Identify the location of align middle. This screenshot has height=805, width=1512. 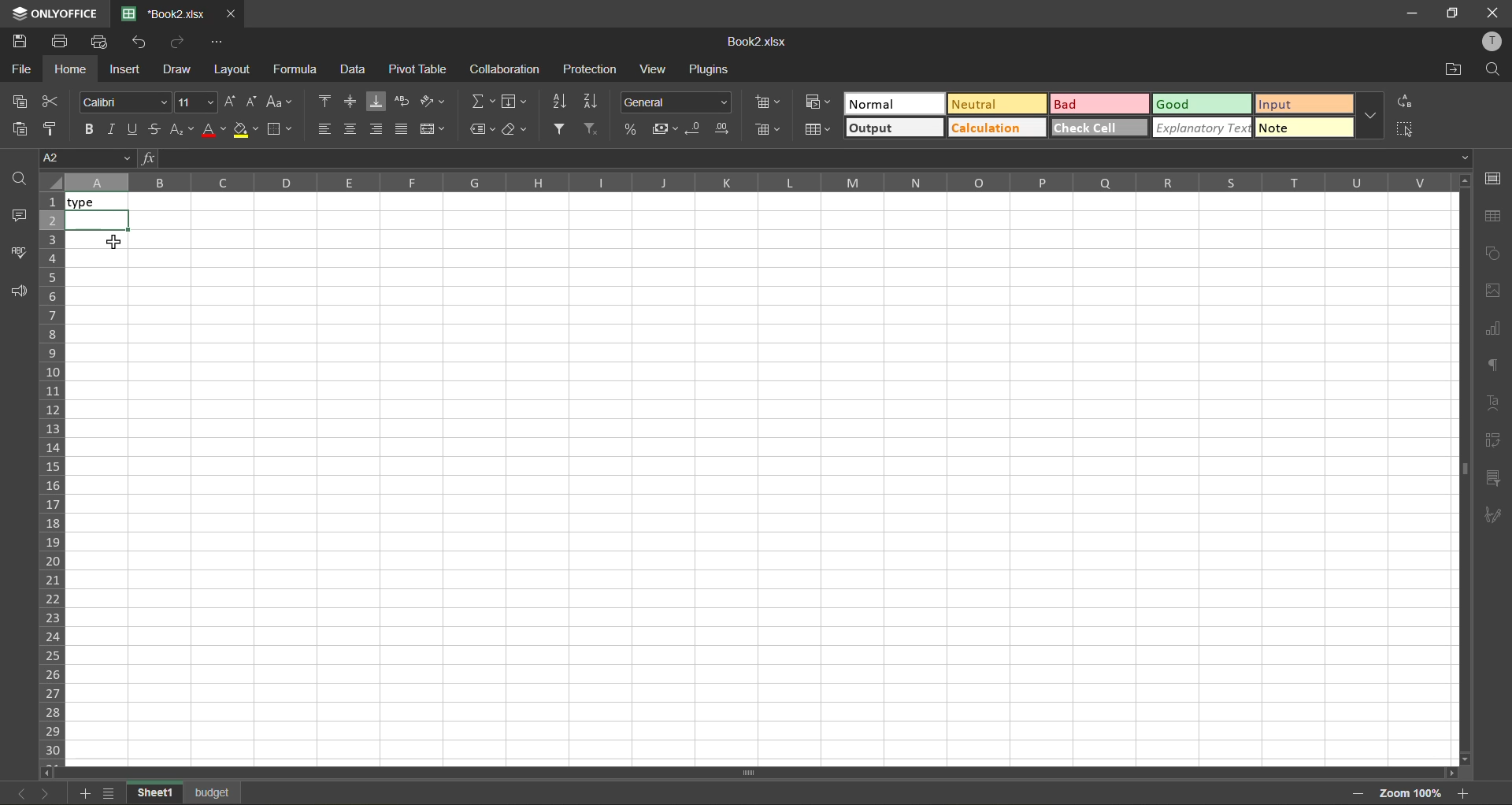
(353, 102).